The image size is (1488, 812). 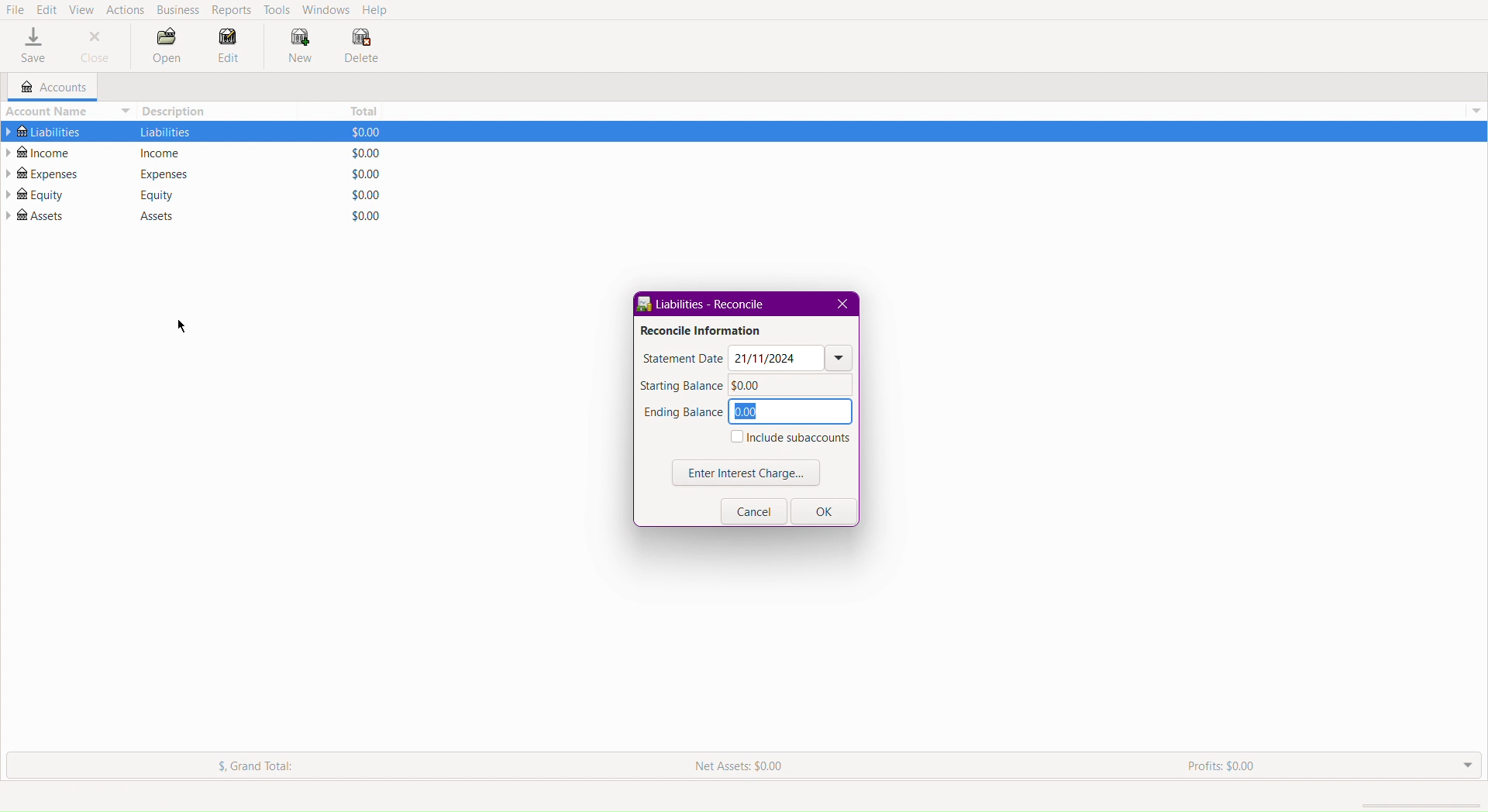 I want to click on Drop down, so click(x=1465, y=766).